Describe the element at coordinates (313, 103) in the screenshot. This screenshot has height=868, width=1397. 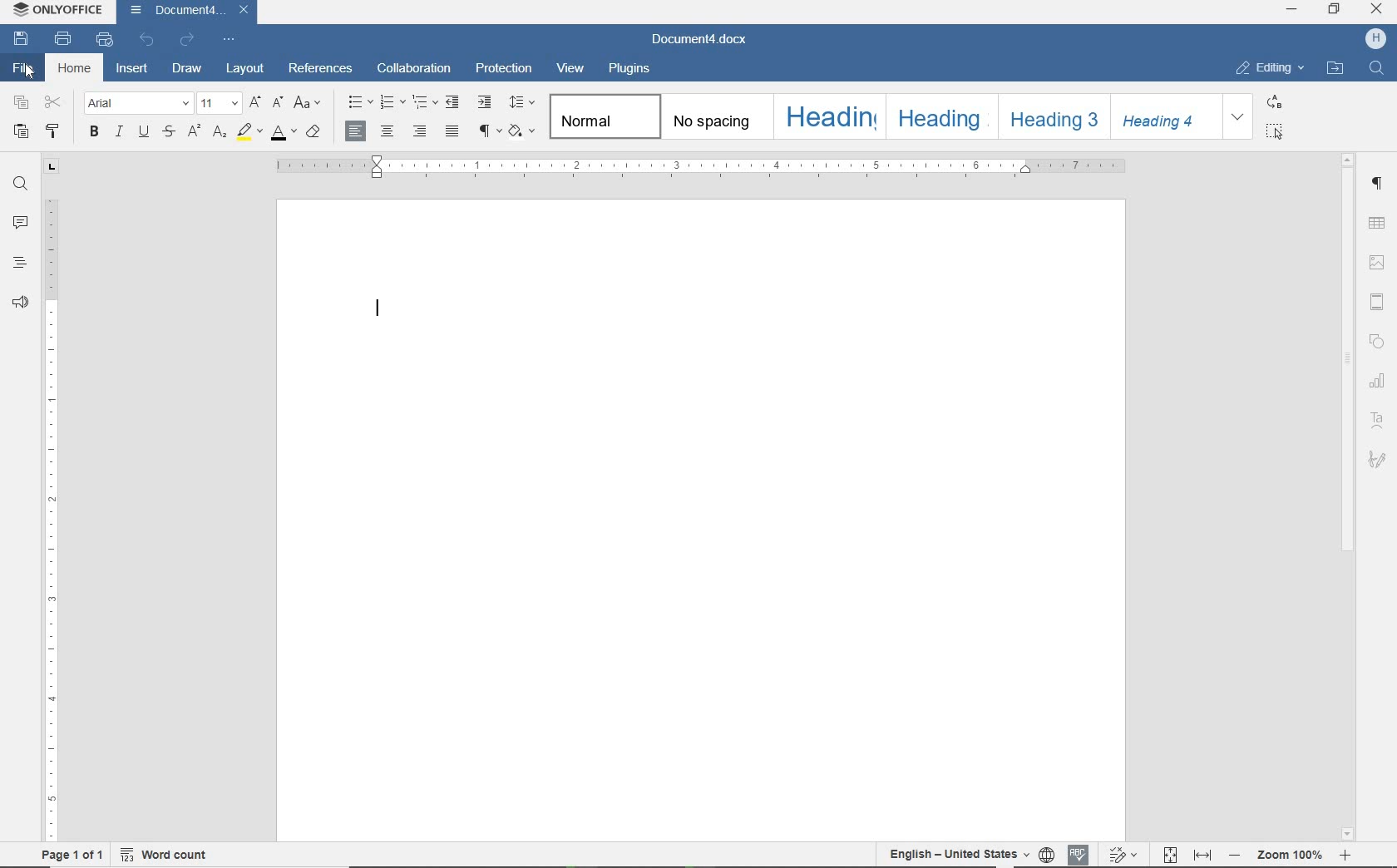
I see `change case` at that location.